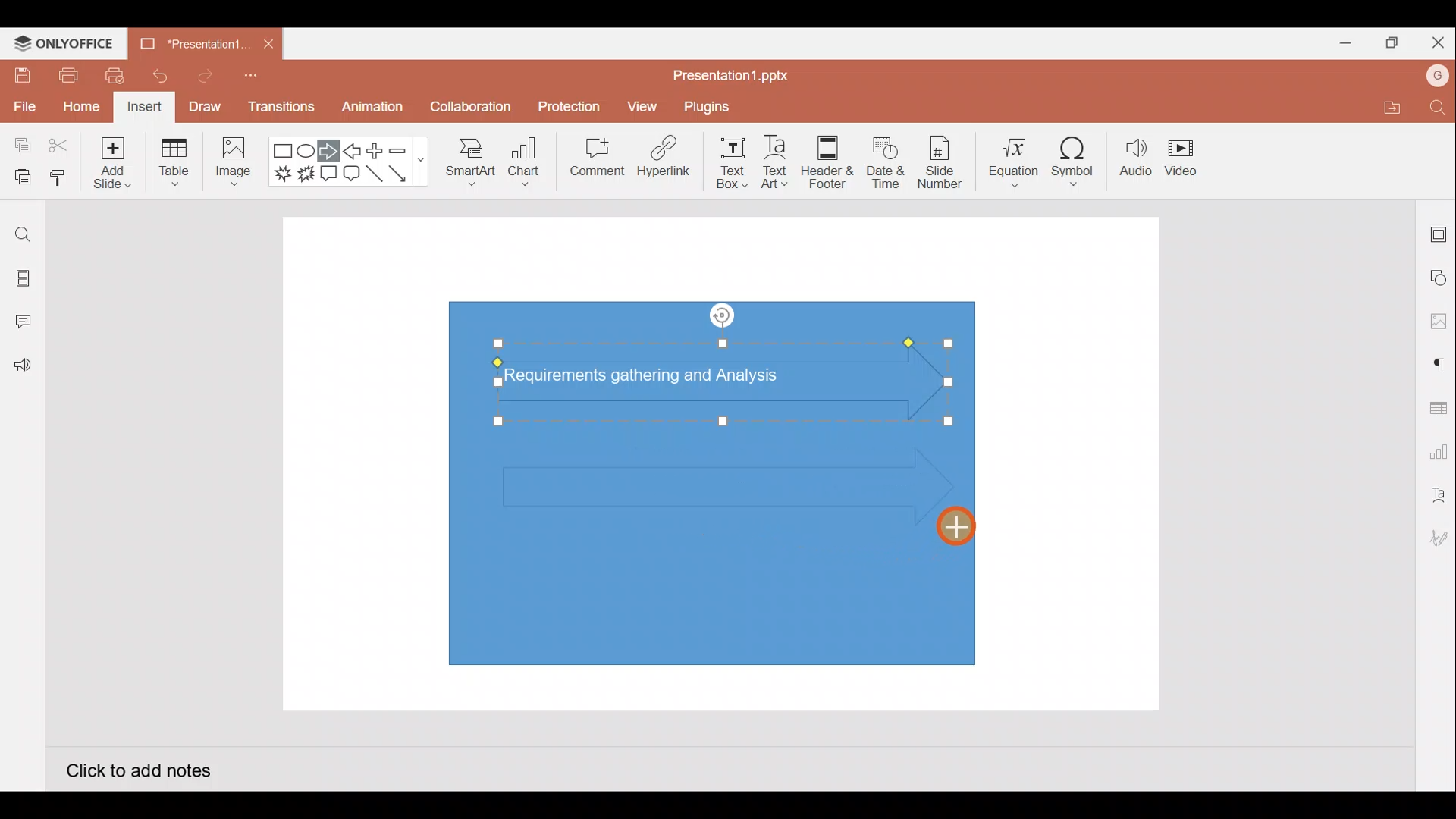 The image size is (1456, 819). What do you see at coordinates (828, 158) in the screenshot?
I see `Header & footer` at bounding box center [828, 158].